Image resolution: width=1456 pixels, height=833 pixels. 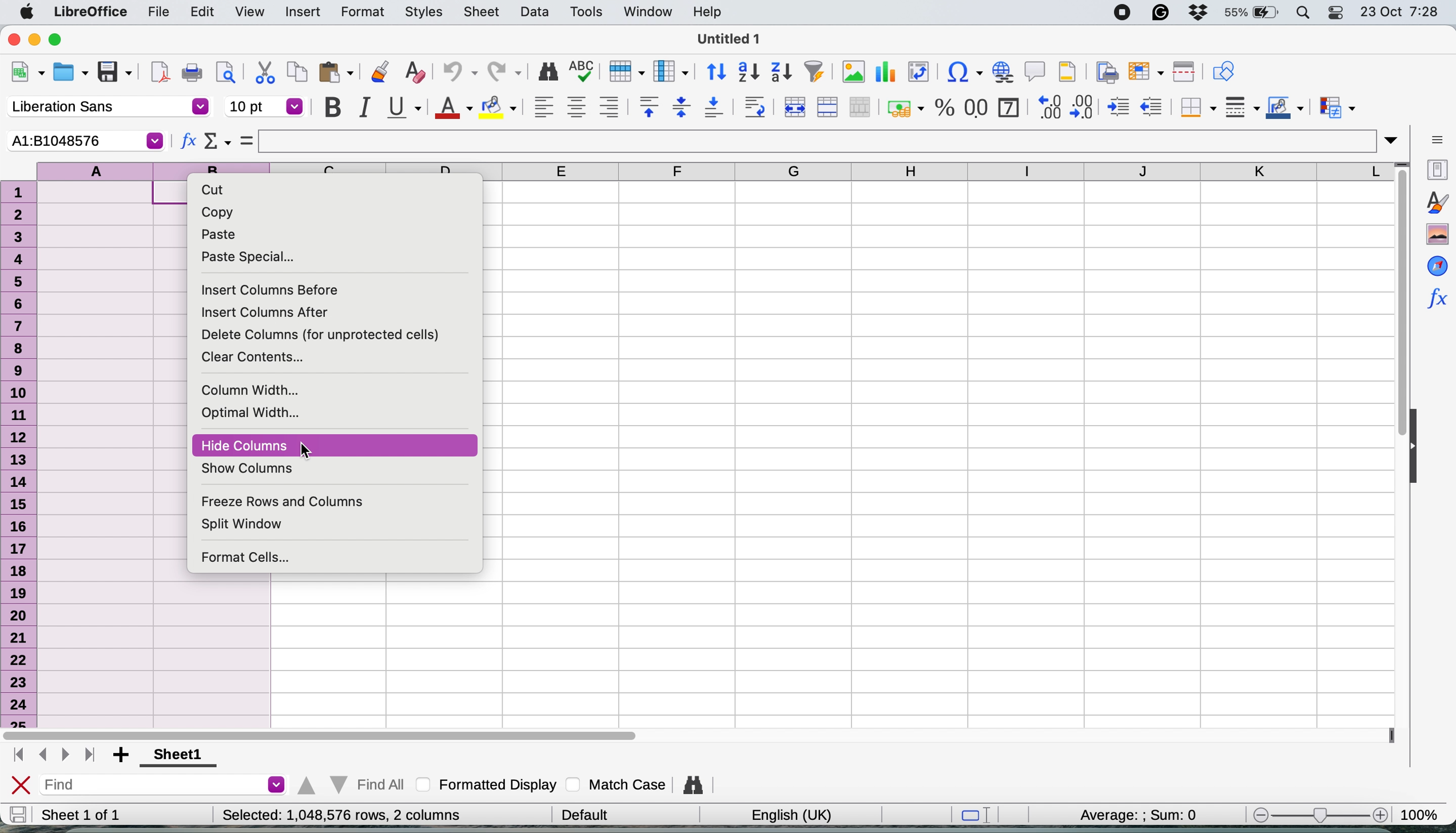 What do you see at coordinates (272, 312) in the screenshot?
I see `insert columns after` at bounding box center [272, 312].